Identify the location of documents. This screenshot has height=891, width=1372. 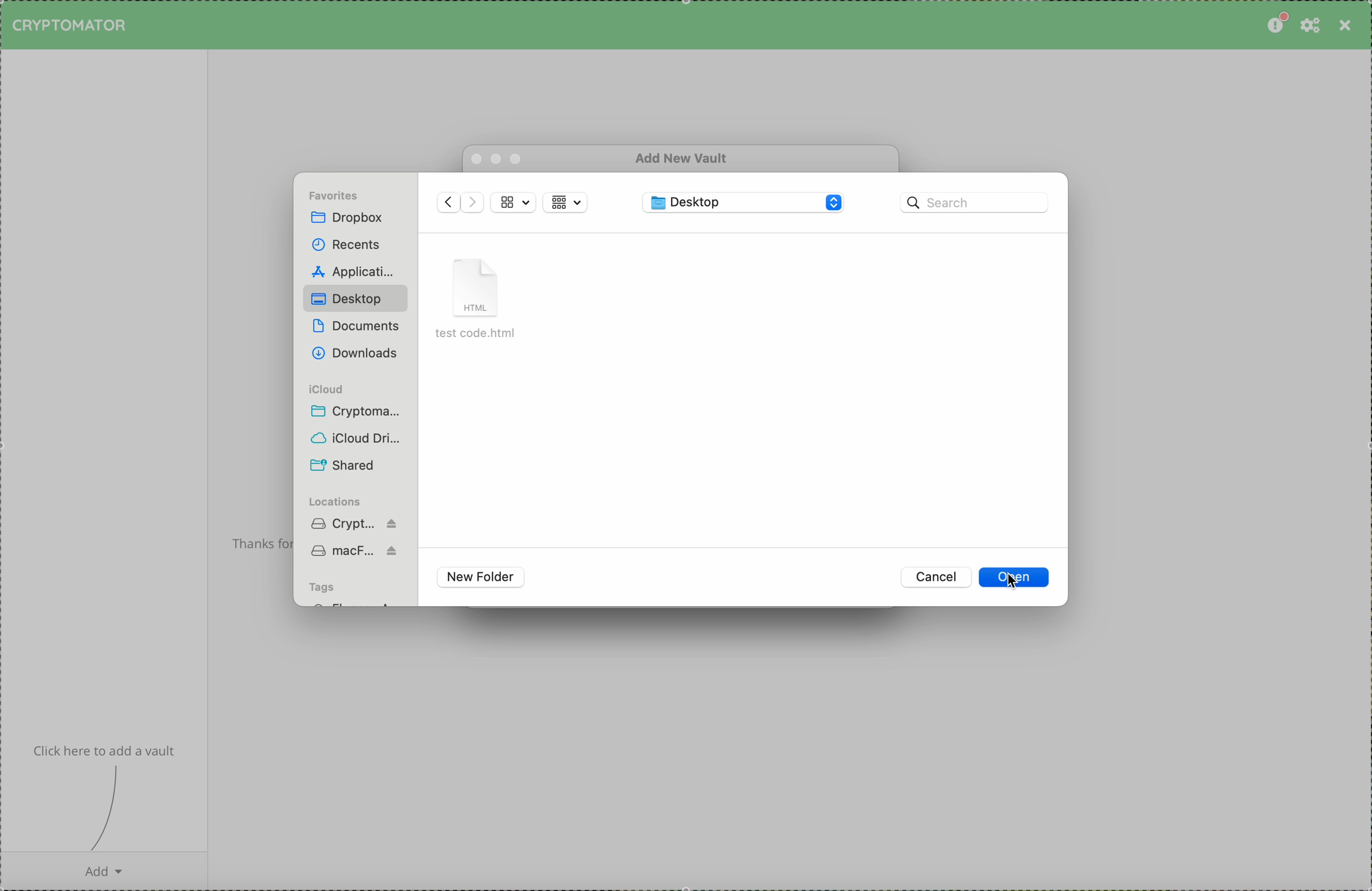
(354, 326).